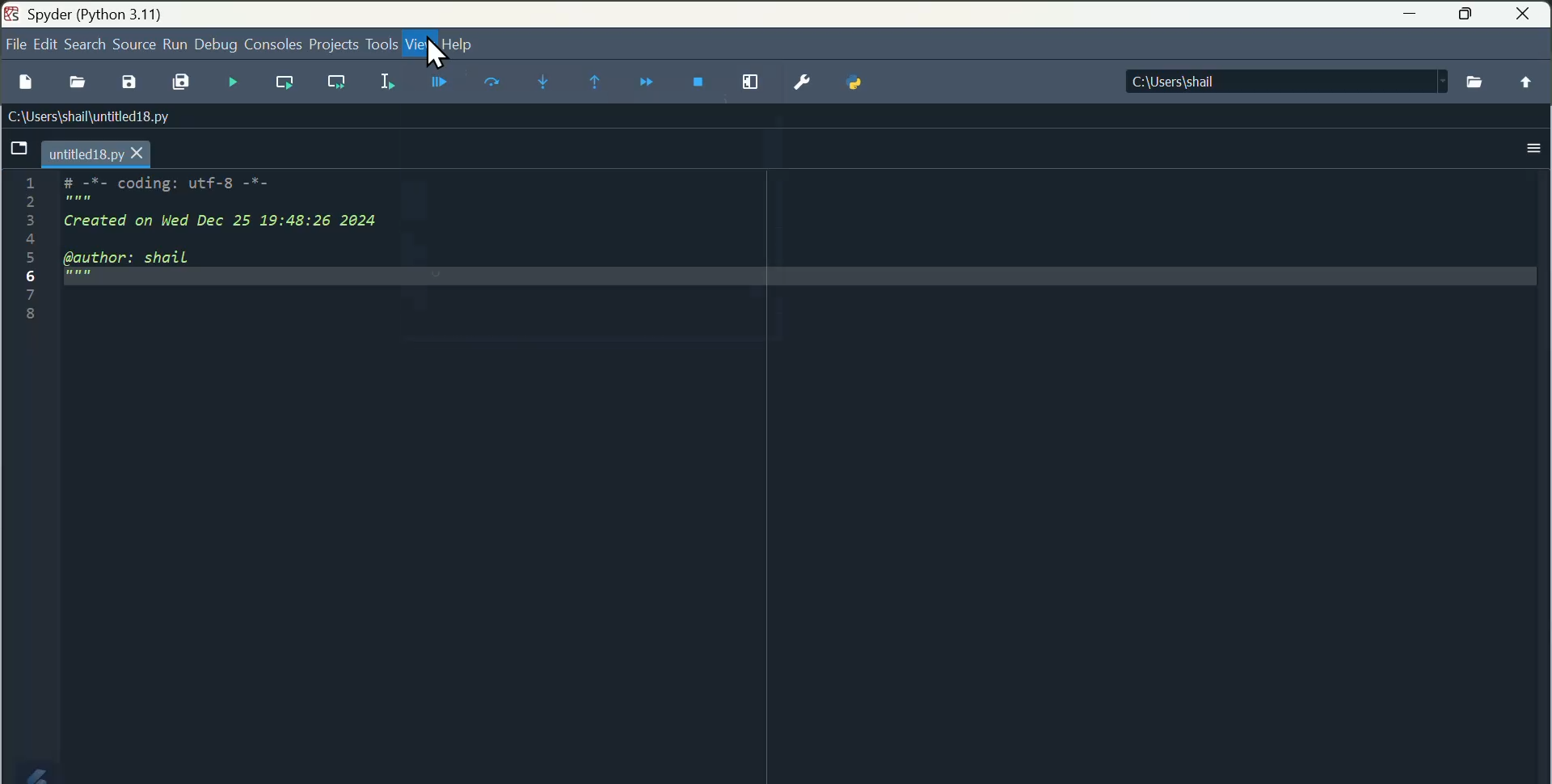  Describe the element at coordinates (284, 82) in the screenshot. I see `Run current cell` at that location.